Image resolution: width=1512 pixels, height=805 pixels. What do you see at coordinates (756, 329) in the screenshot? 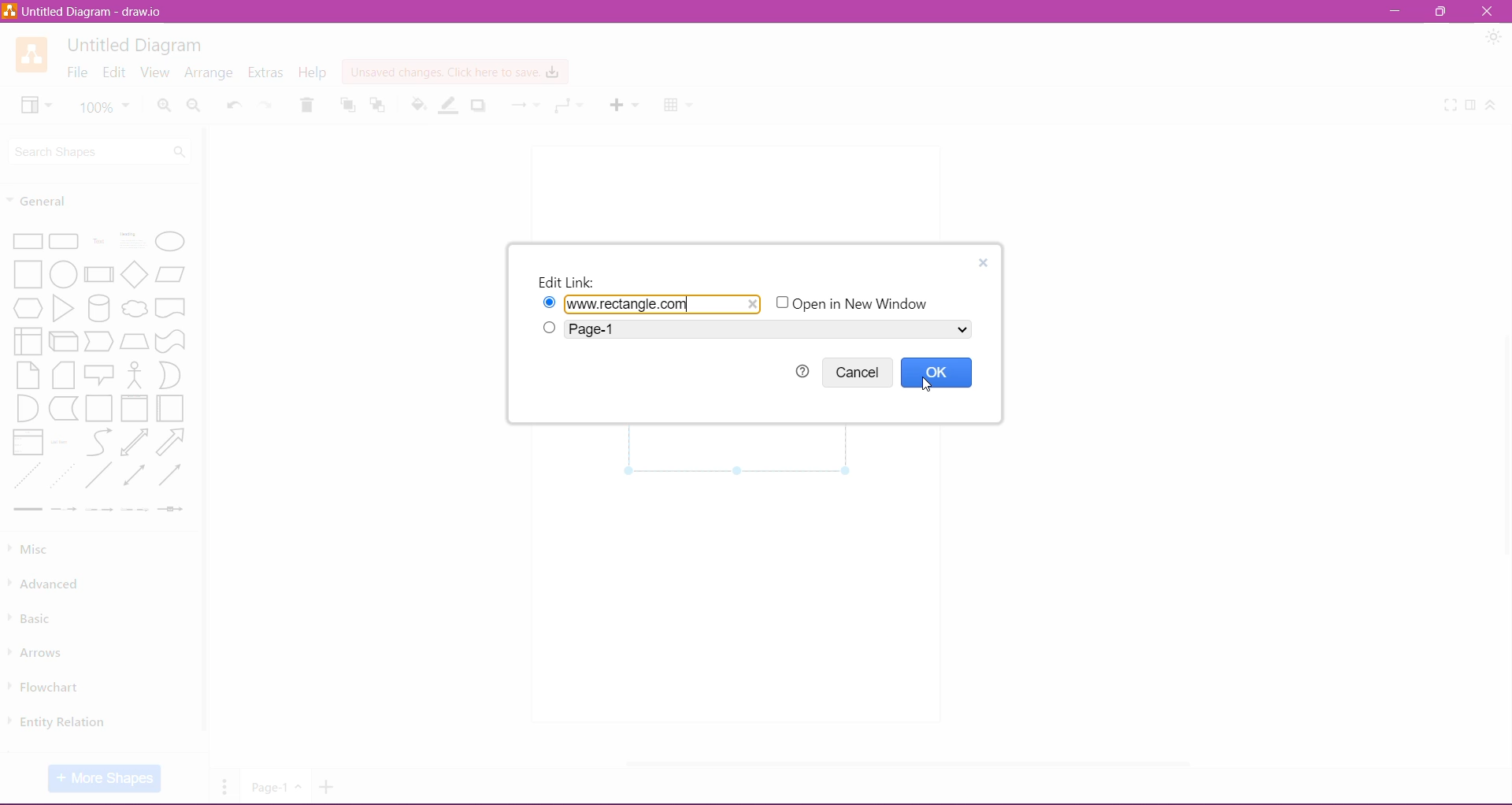
I see `Select the required page number` at bounding box center [756, 329].